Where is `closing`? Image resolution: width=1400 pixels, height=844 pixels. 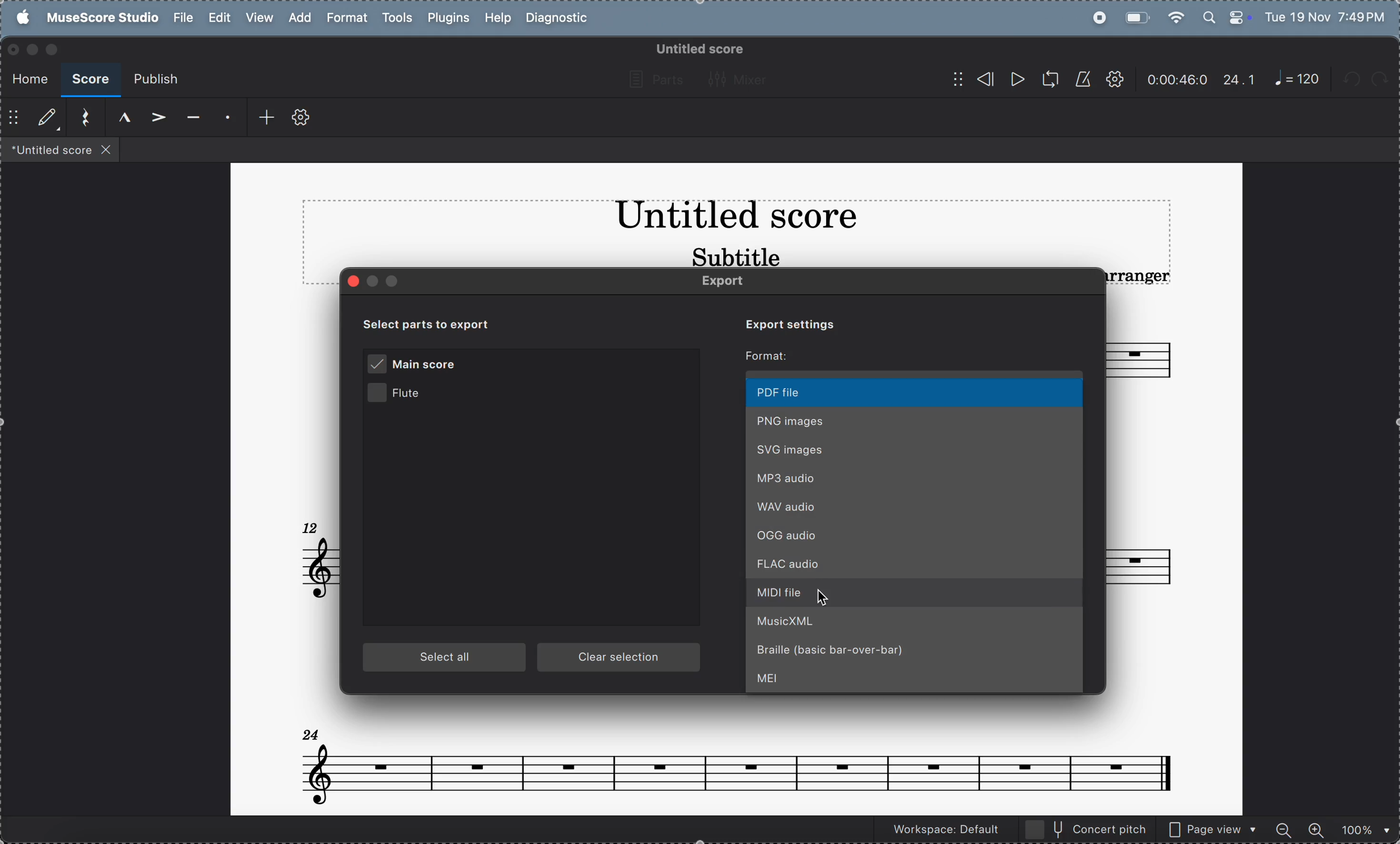
closing is located at coordinates (14, 50).